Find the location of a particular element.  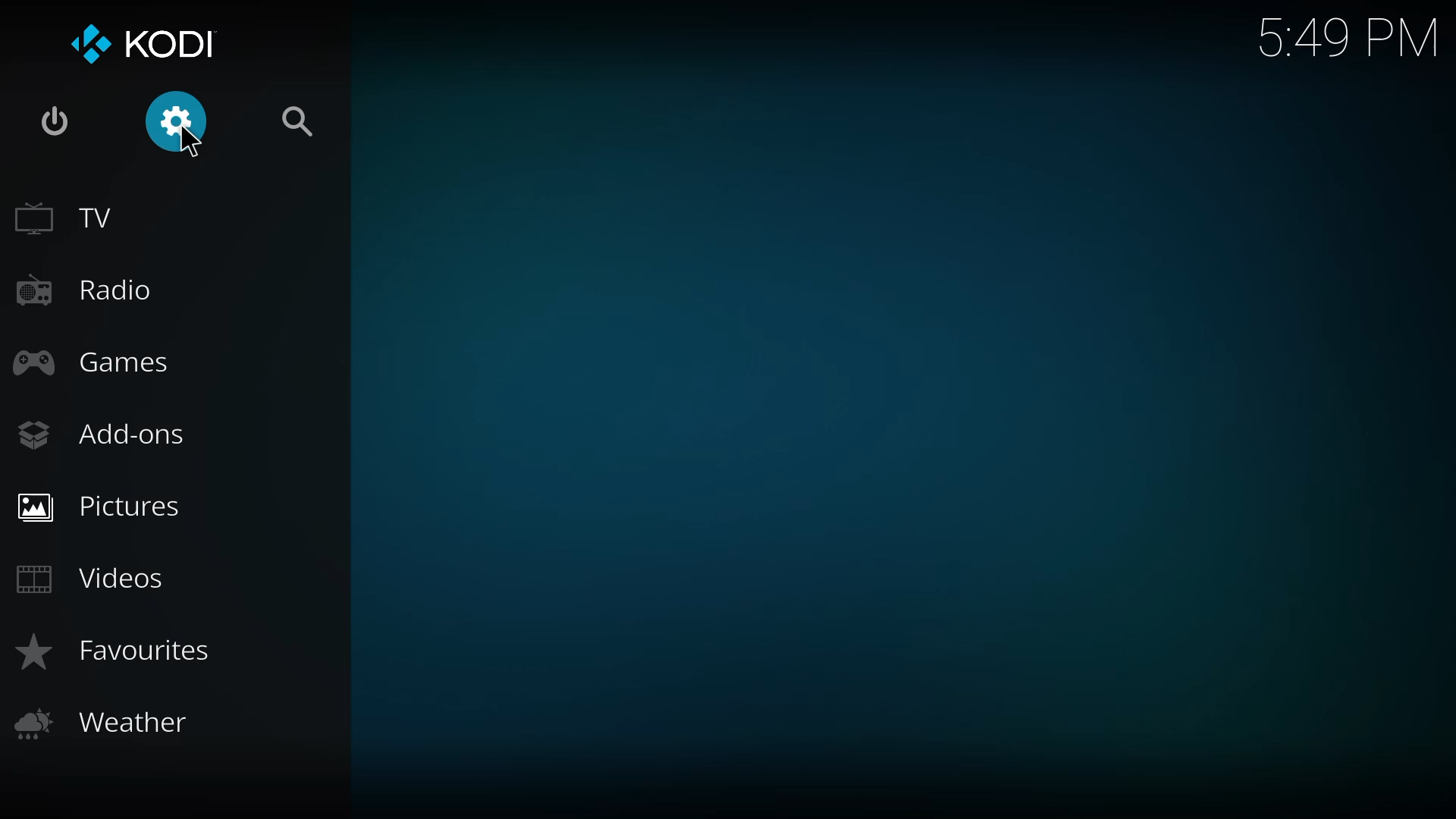

click is located at coordinates (180, 121).